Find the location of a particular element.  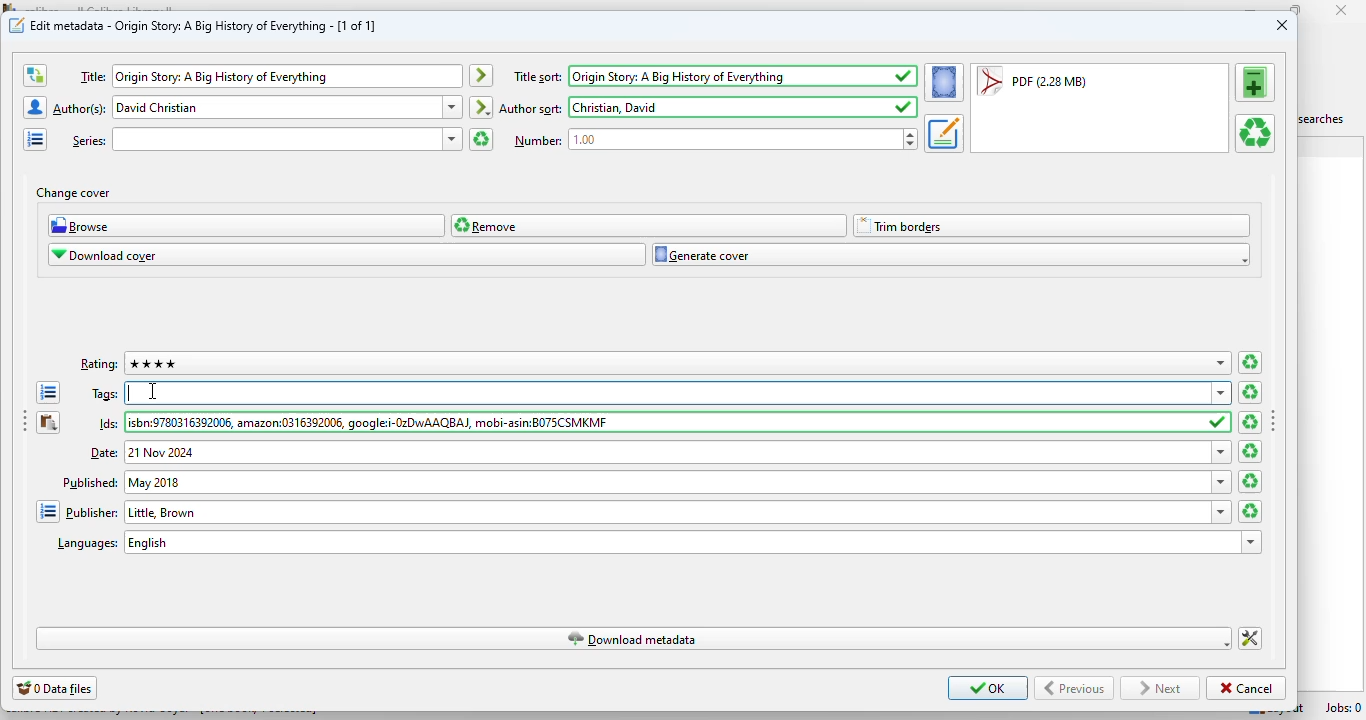

remove the selected format from this book is located at coordinates (1256, 134).